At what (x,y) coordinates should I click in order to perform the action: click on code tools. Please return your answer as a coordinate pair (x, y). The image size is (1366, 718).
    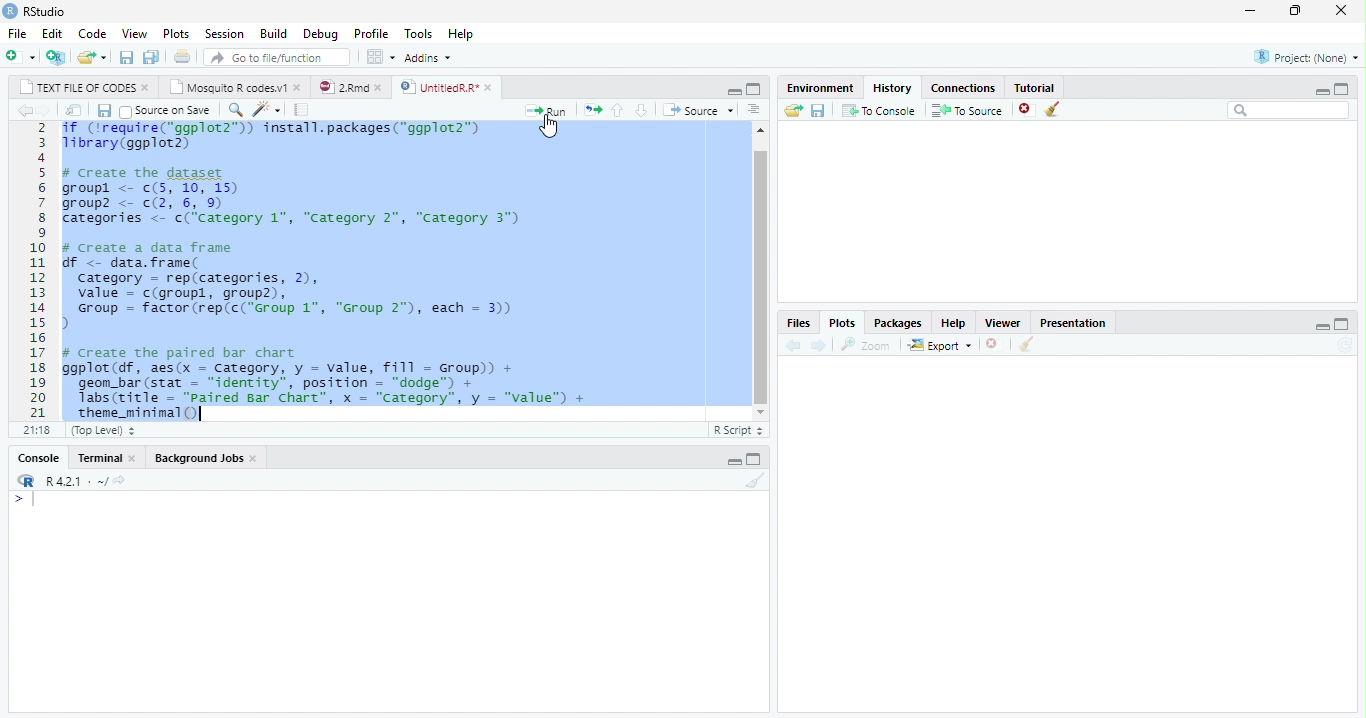
    Looking at the image, I should click on (266, 110).